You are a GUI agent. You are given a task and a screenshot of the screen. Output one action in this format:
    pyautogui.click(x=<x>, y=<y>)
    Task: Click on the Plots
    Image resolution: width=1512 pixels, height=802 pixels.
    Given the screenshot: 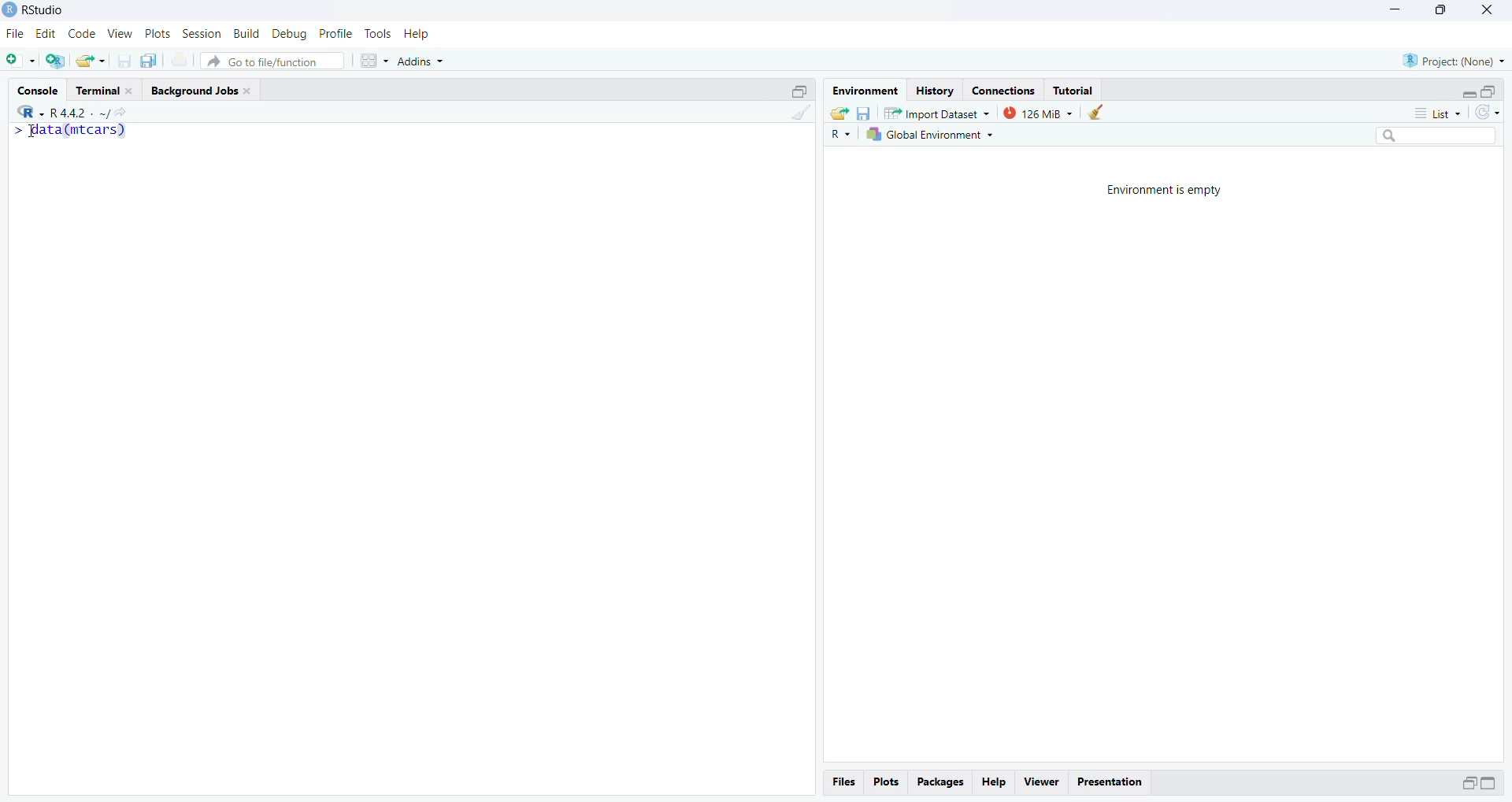 What is the action you would take?
    pyautogui.click(x=884, y=782)
    